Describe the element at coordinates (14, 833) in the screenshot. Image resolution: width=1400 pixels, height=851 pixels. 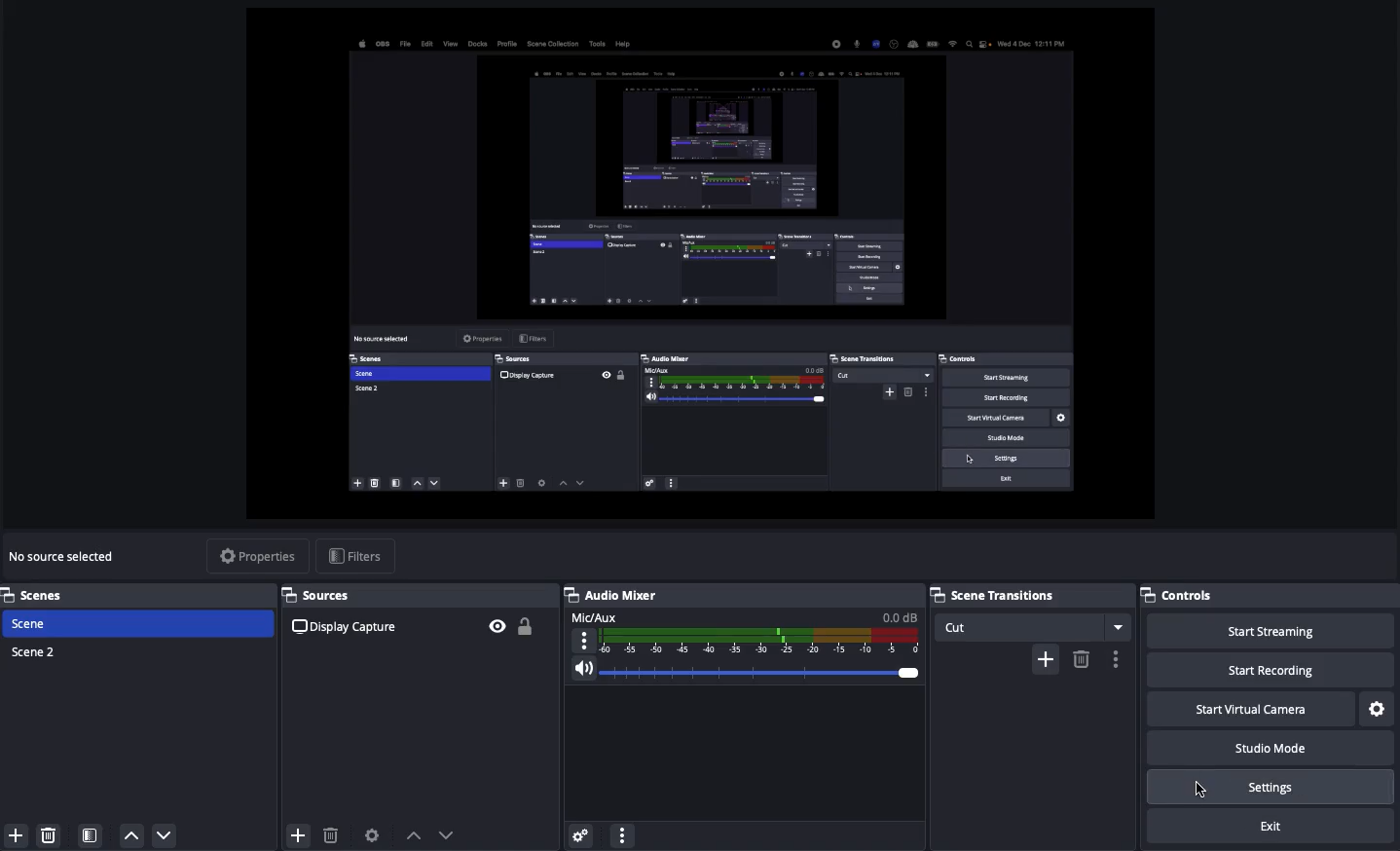
I see `Add` at that location.